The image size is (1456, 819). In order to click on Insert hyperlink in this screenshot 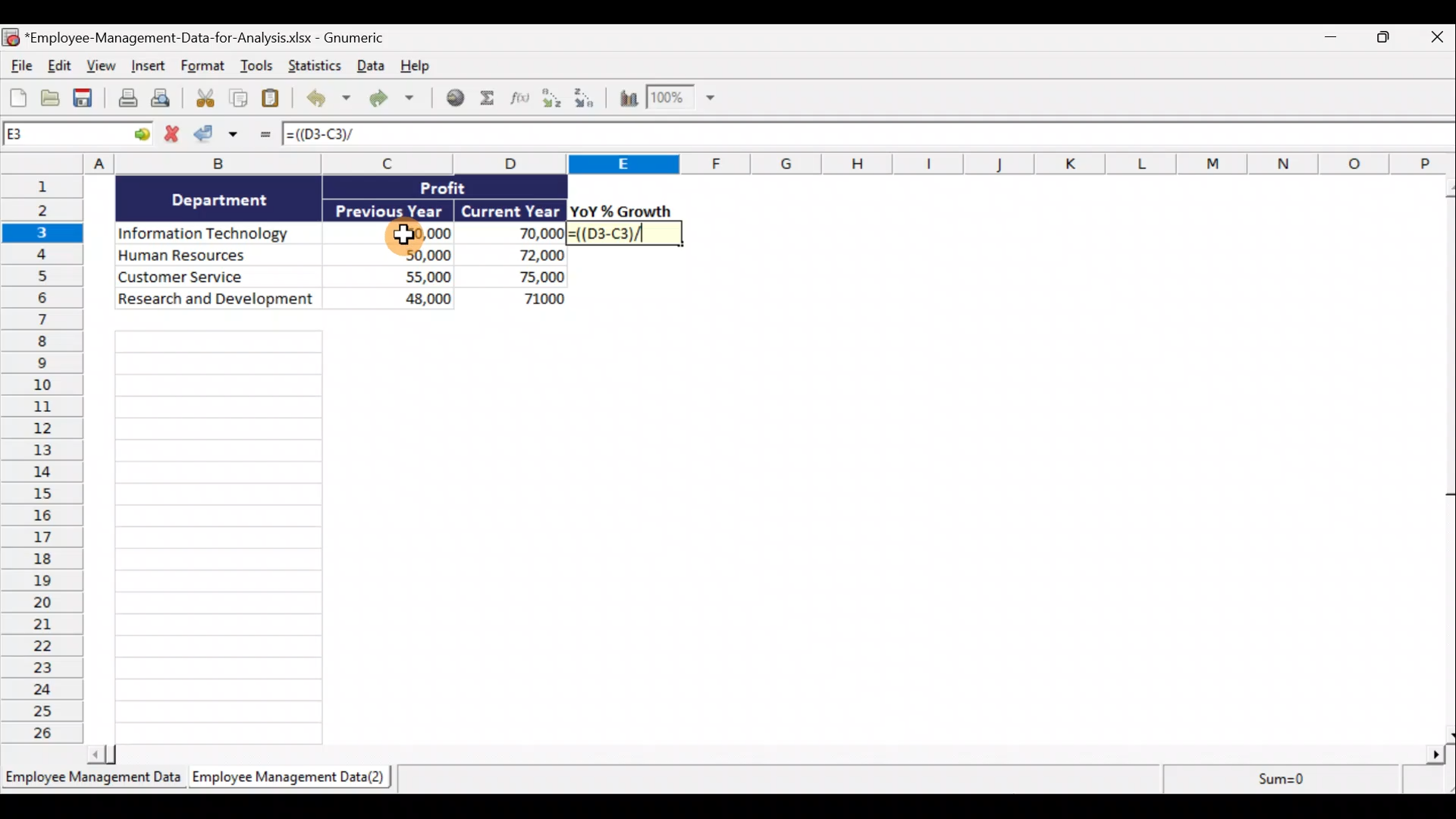, I will do `click(454, 99)`.